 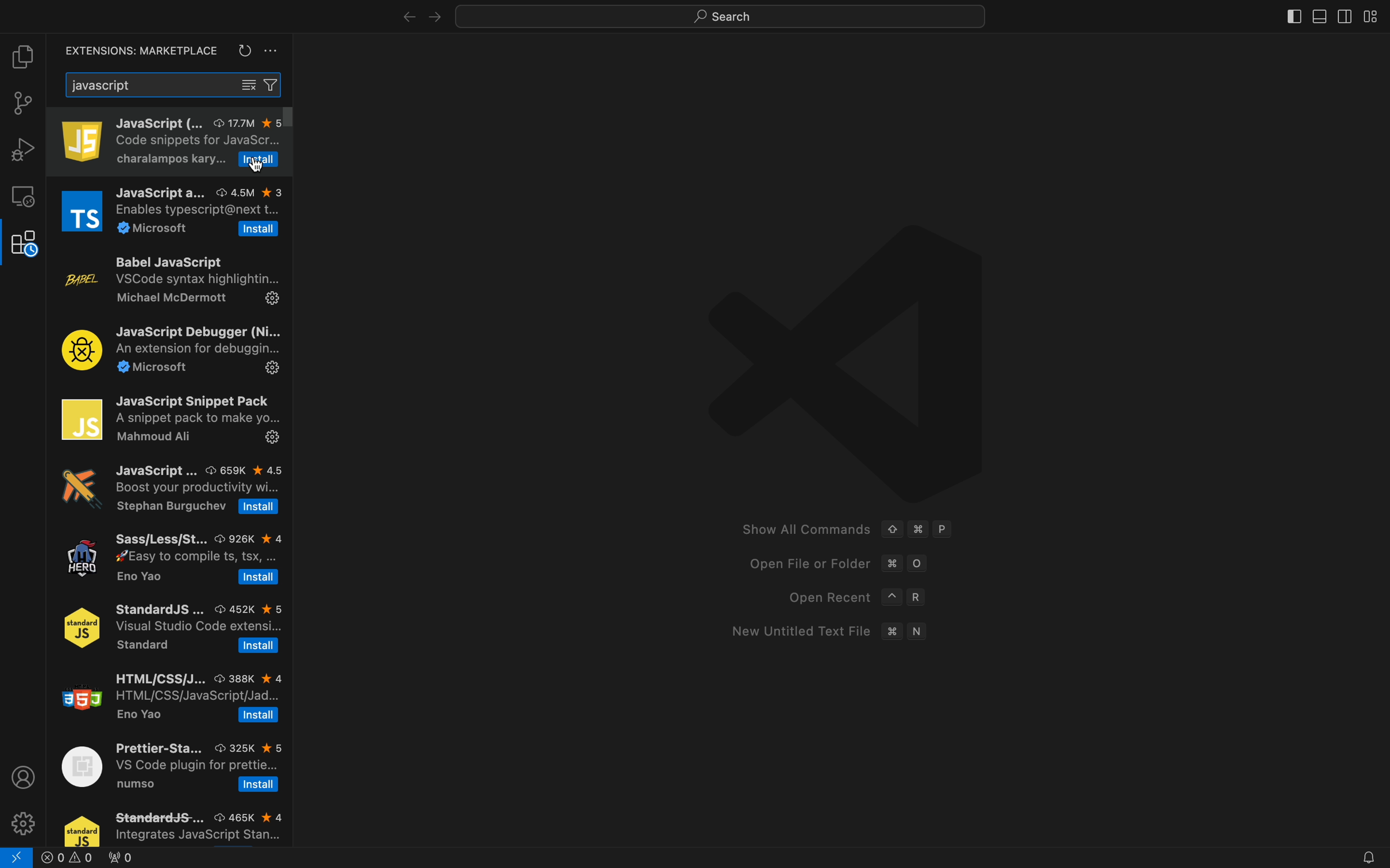 I want to click on settings, so click(x=25, y=821).